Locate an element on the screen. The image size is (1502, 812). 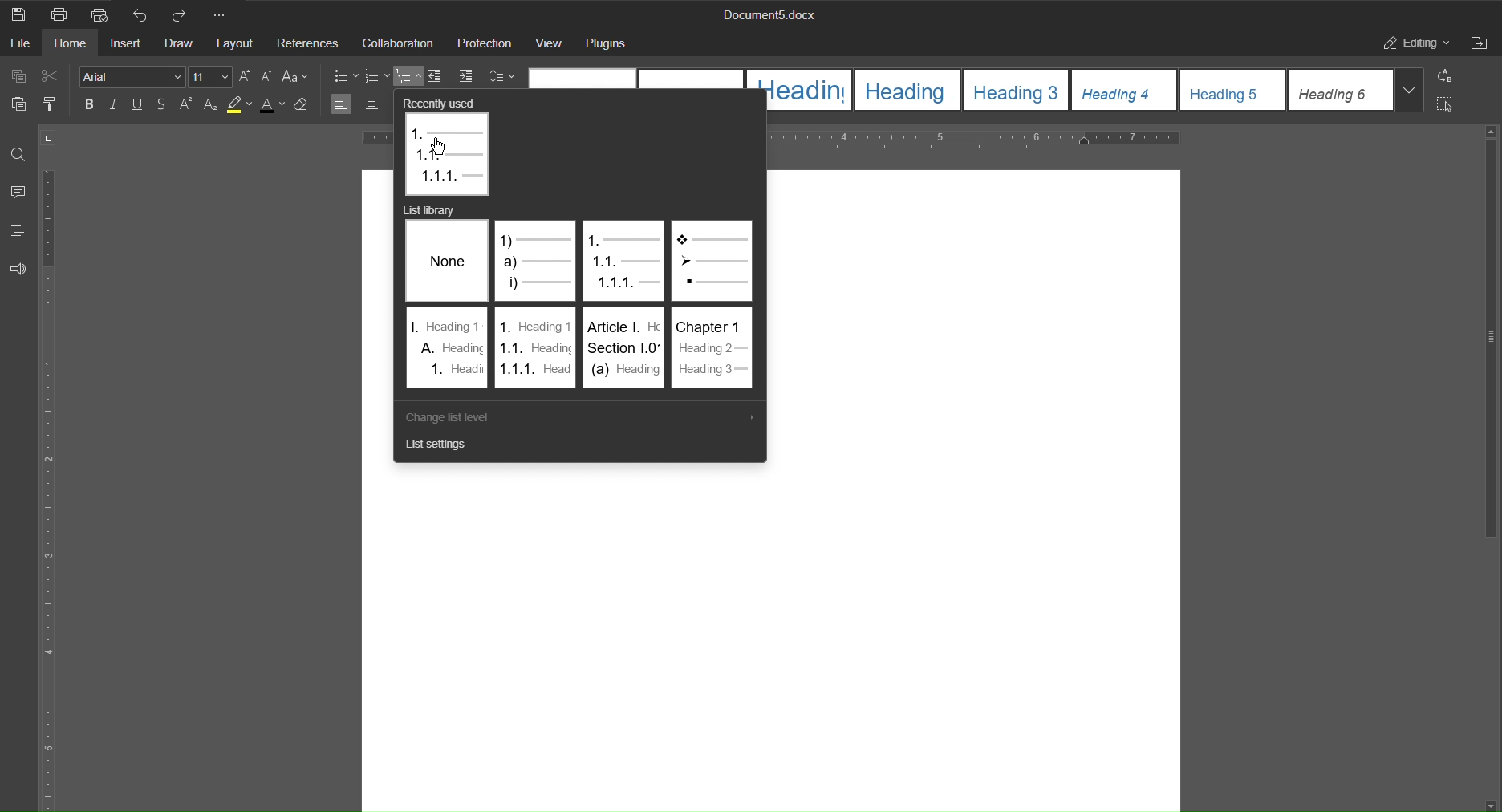
Vertical Ruler is located at coordinates (51, 486).